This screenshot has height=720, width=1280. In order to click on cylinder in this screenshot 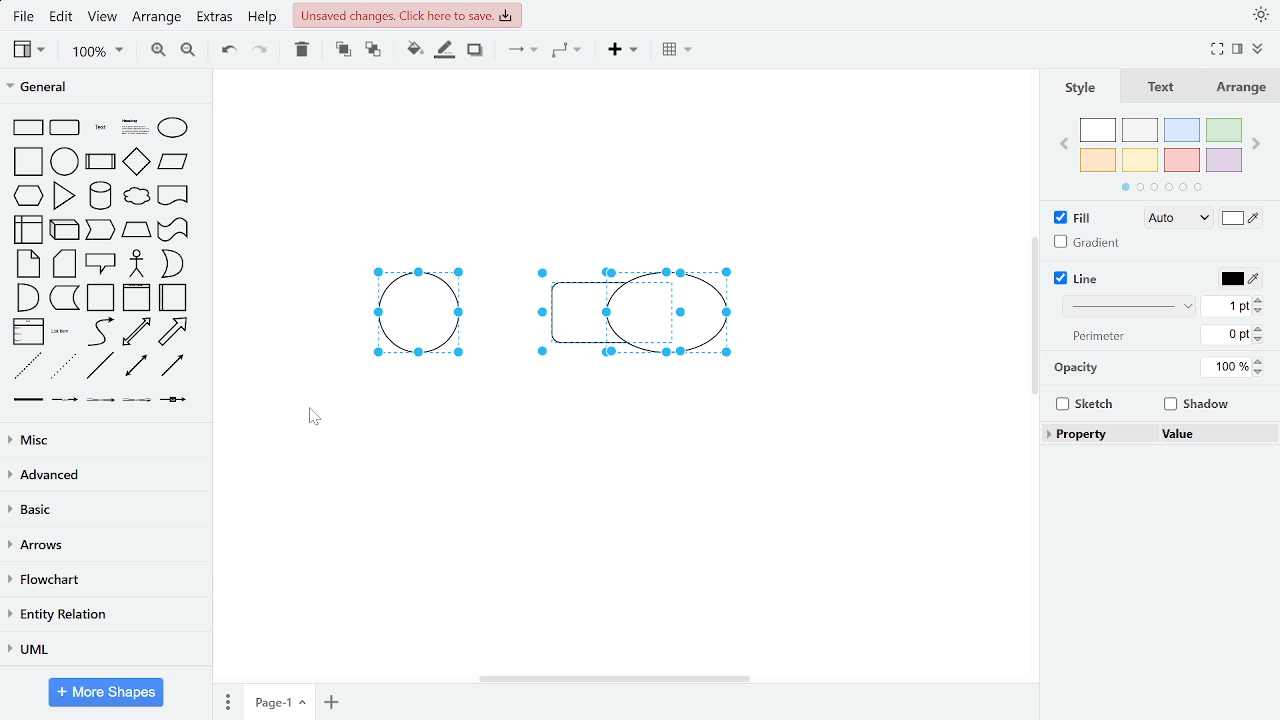, I will do `click(100, 196)`.